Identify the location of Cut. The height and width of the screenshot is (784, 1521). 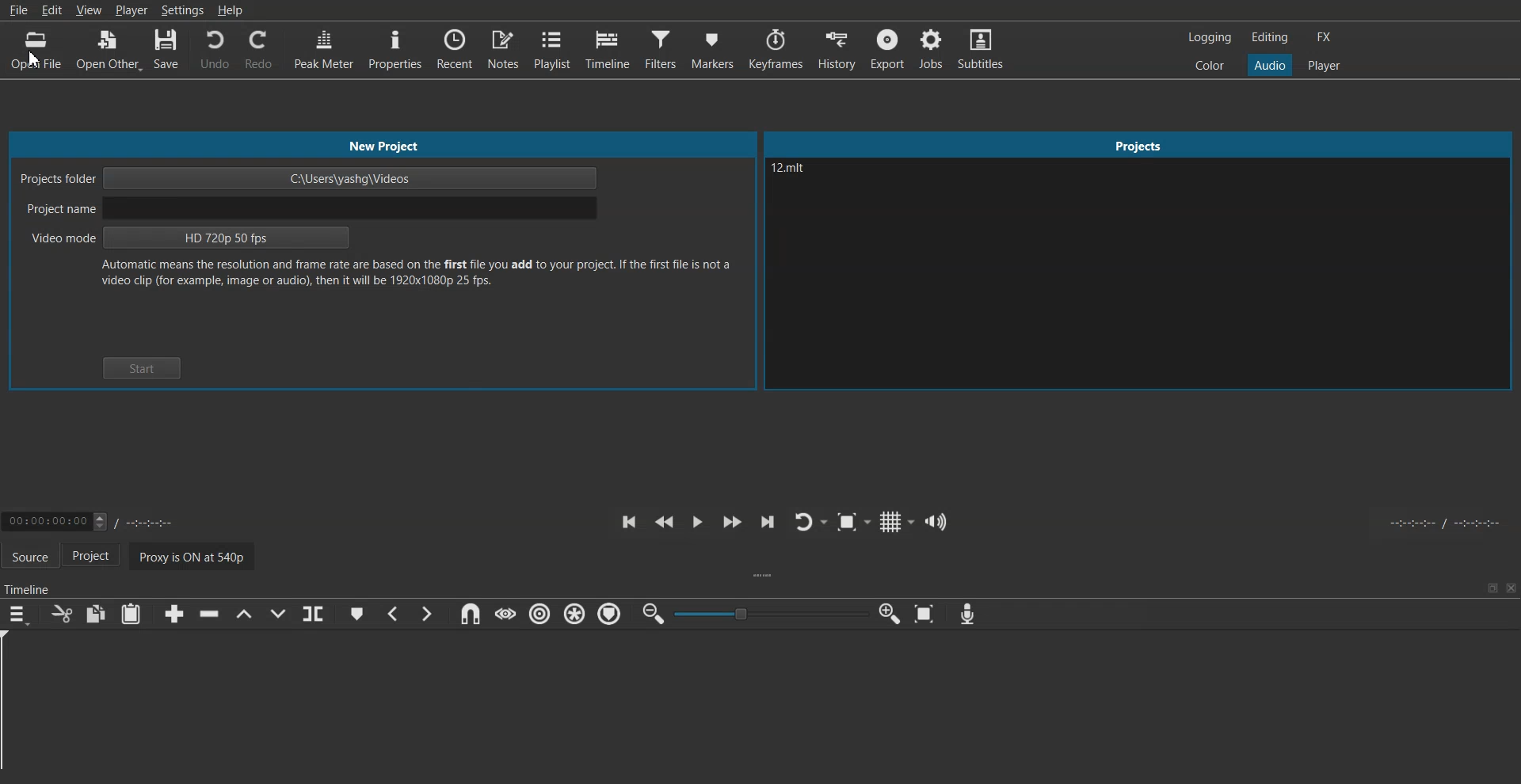
(60, 614).